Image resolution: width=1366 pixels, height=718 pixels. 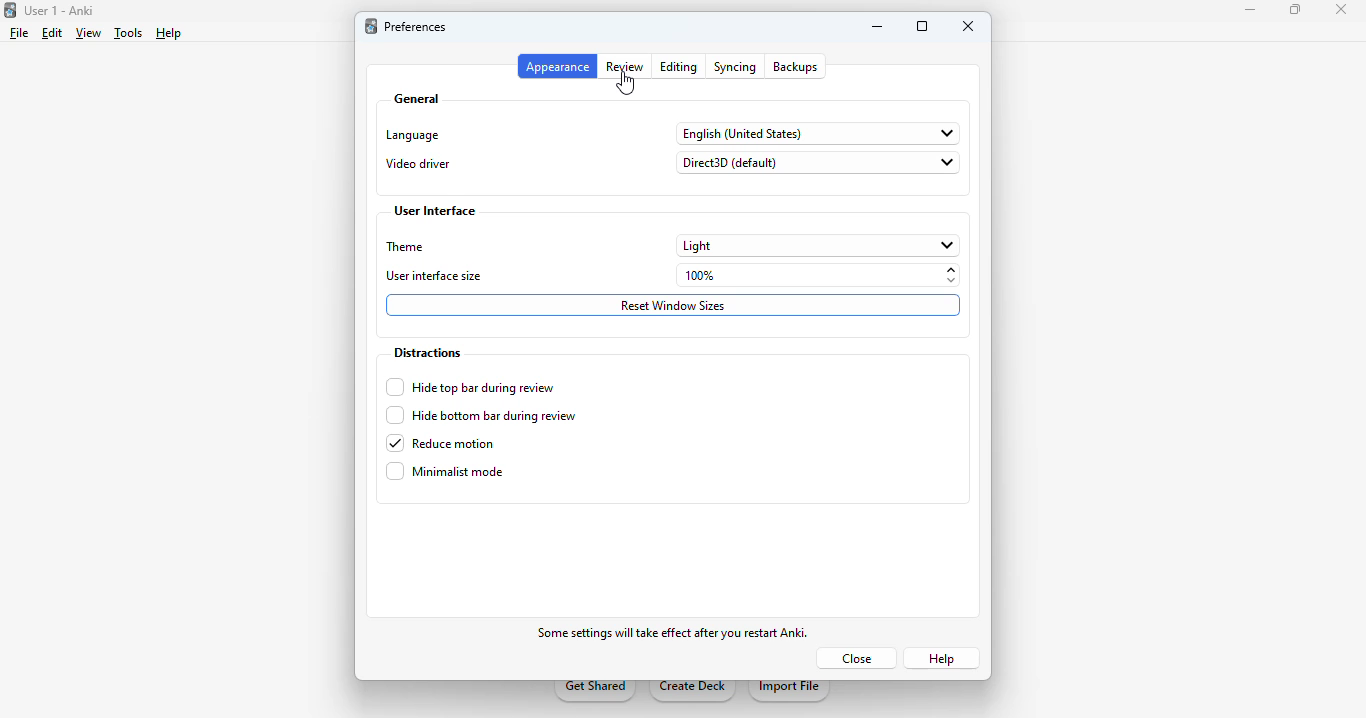 I want to click on reduce motion, so click(x=442, y=443).